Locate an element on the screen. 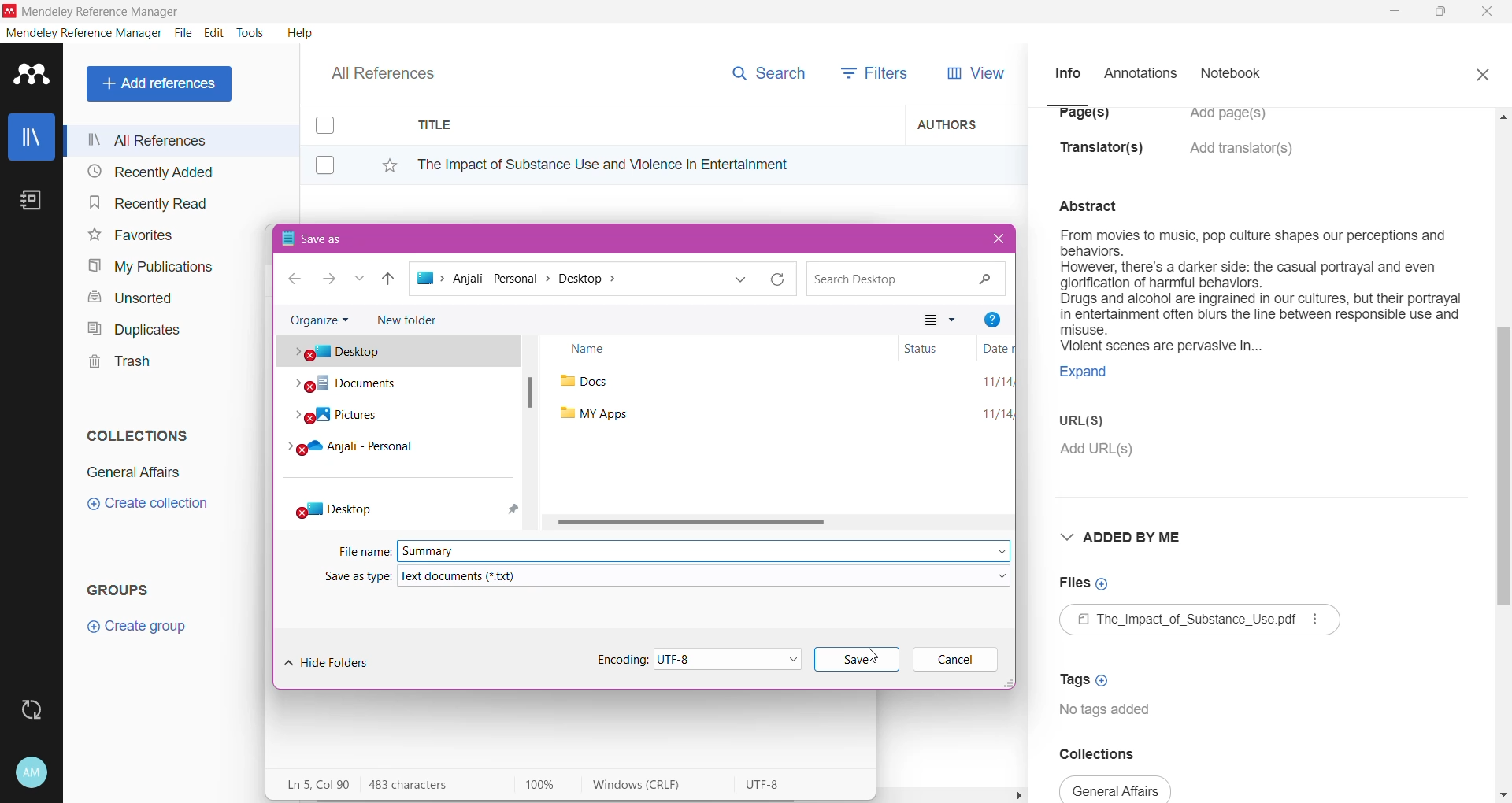 The width and height of the screenshot is (1512, 803). cursor is located at coordinates (874, 655).